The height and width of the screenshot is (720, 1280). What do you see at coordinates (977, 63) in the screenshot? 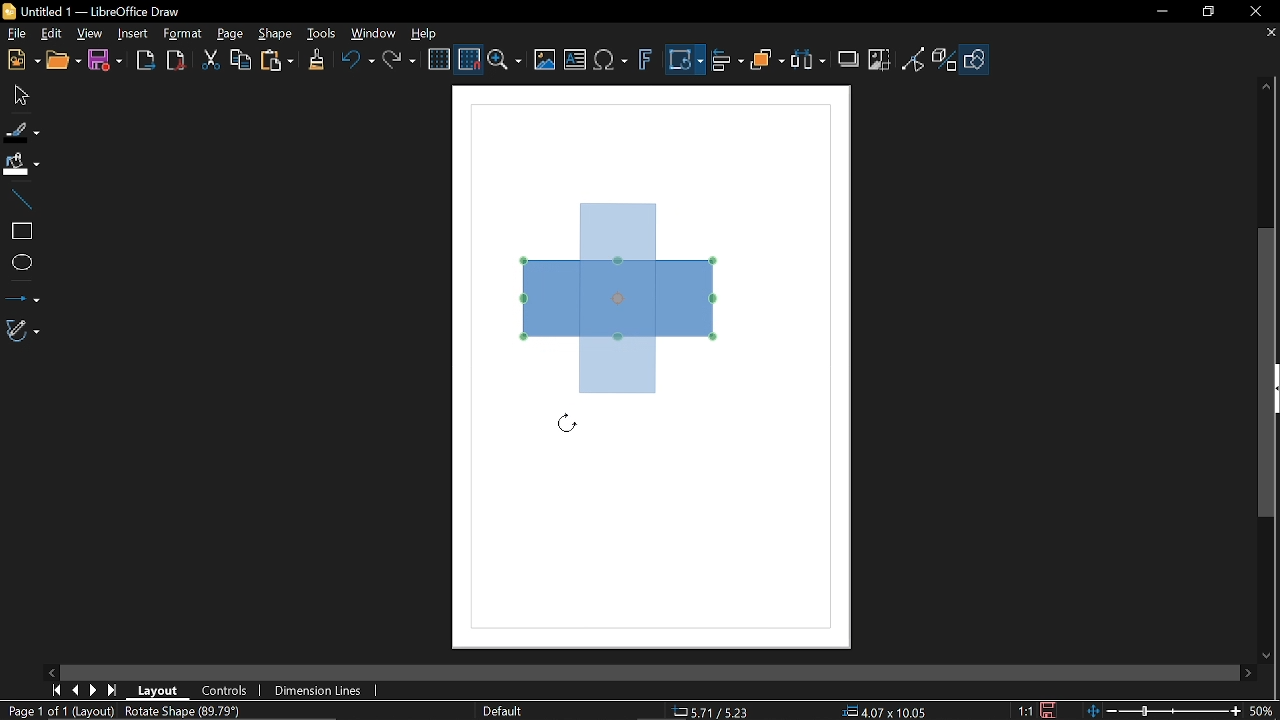
I see `Shape` at bounding box center [977, 63].